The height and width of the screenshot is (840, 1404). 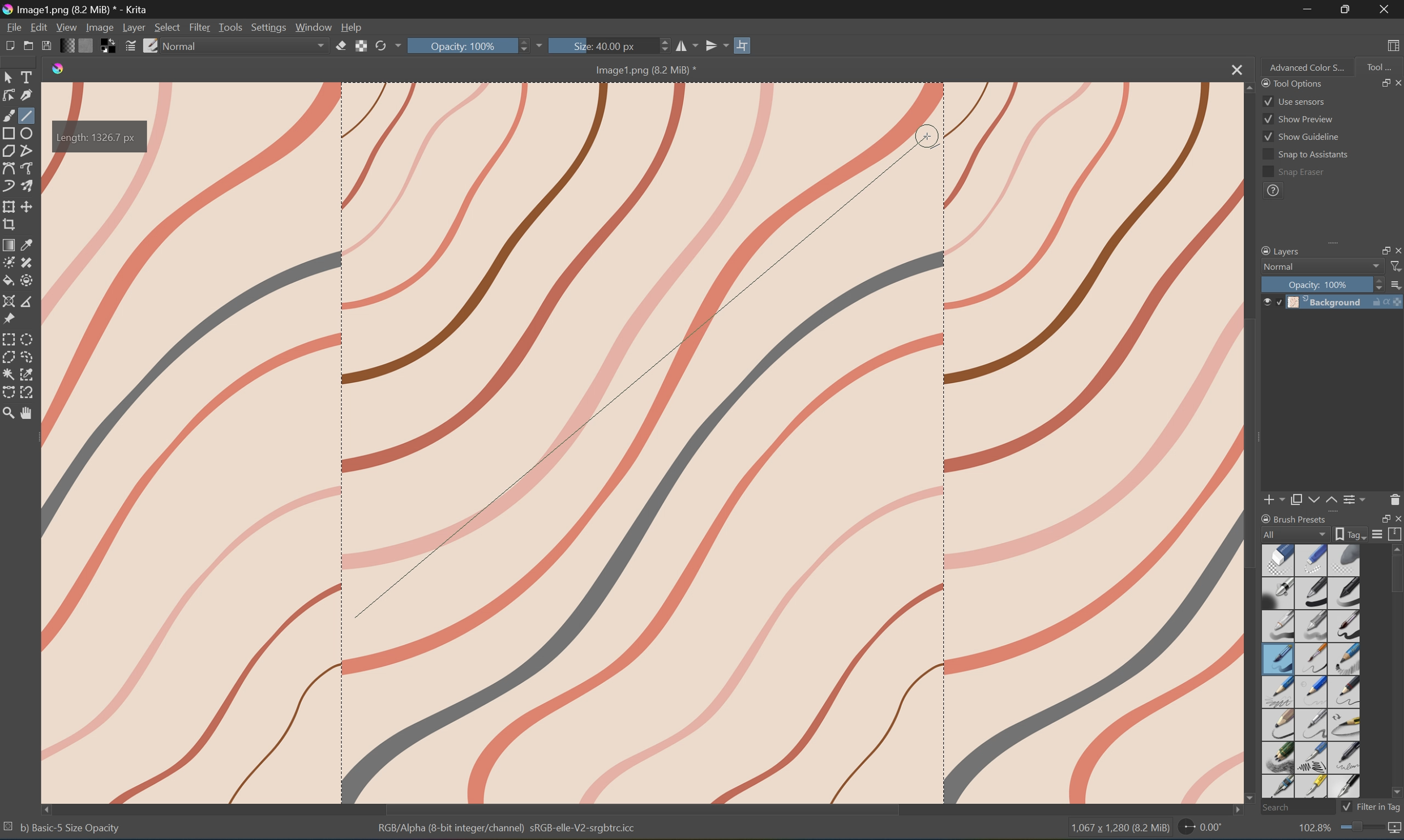 What do you see at coordinates (1313, 829) in the screenshot?
I see `102.8%` at bounding box center [1313, 829].